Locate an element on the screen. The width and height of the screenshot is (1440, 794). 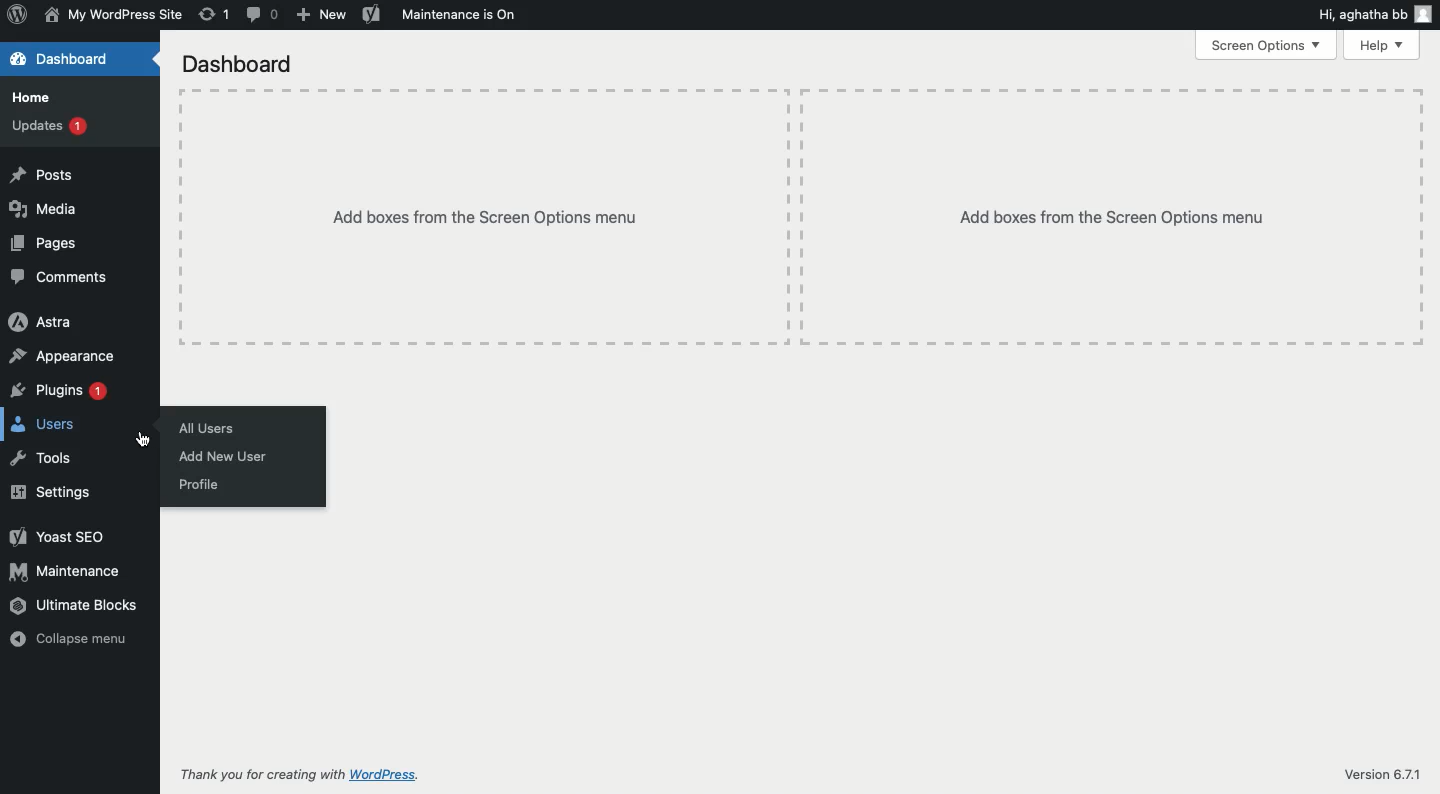
Version 6.7.1 is located at coordinates (1381, 773).